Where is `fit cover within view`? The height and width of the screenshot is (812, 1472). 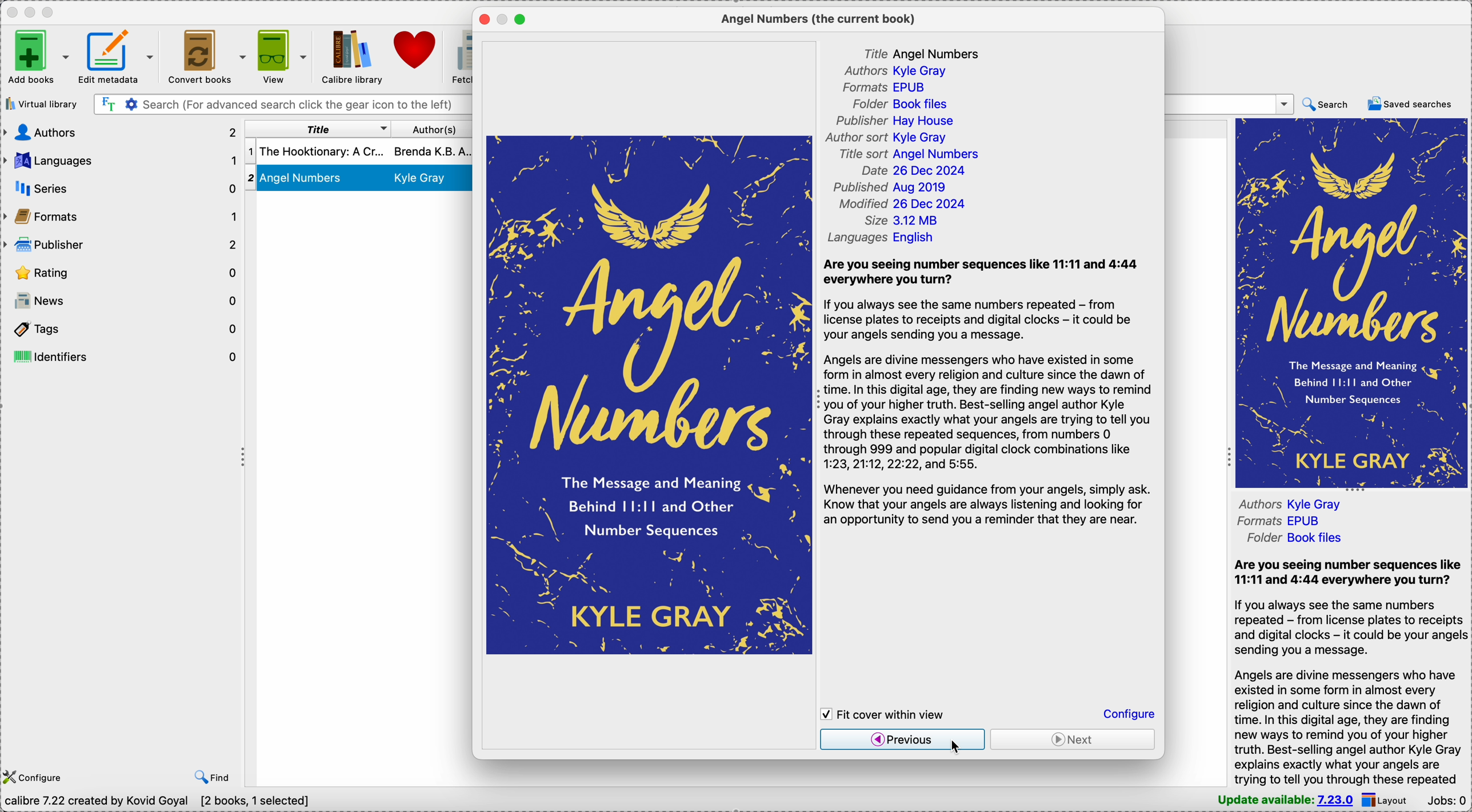 fit cover within view is located at coordinates (888, 713).